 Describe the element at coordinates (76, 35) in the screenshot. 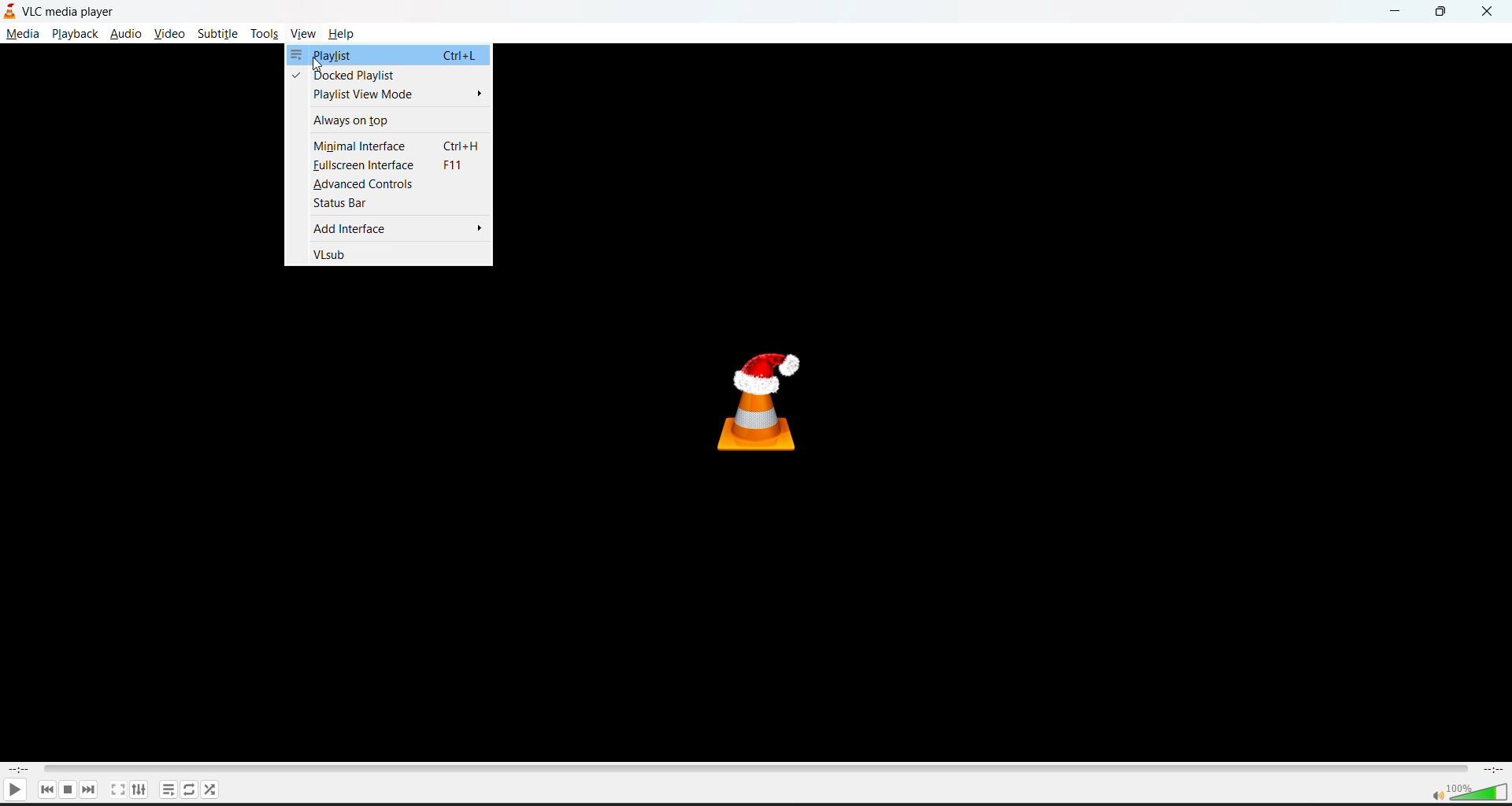

I see `playback` at that location.